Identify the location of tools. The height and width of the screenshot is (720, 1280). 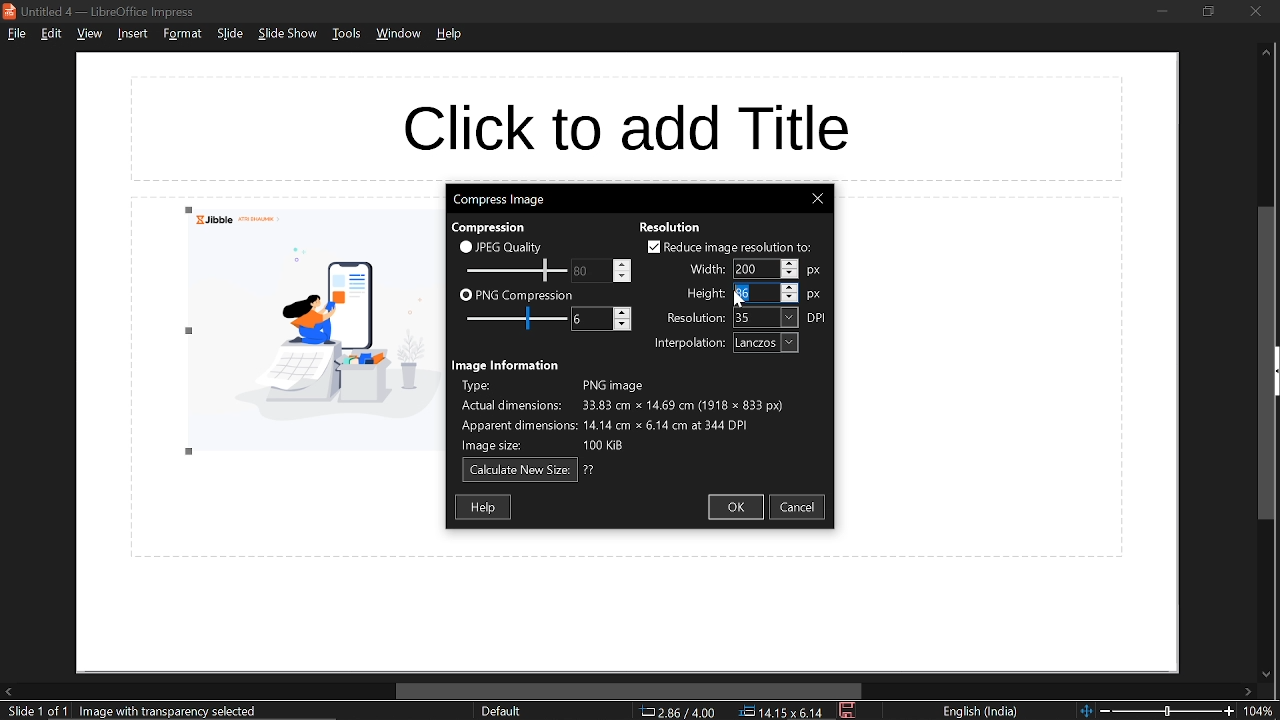
(346, 33).